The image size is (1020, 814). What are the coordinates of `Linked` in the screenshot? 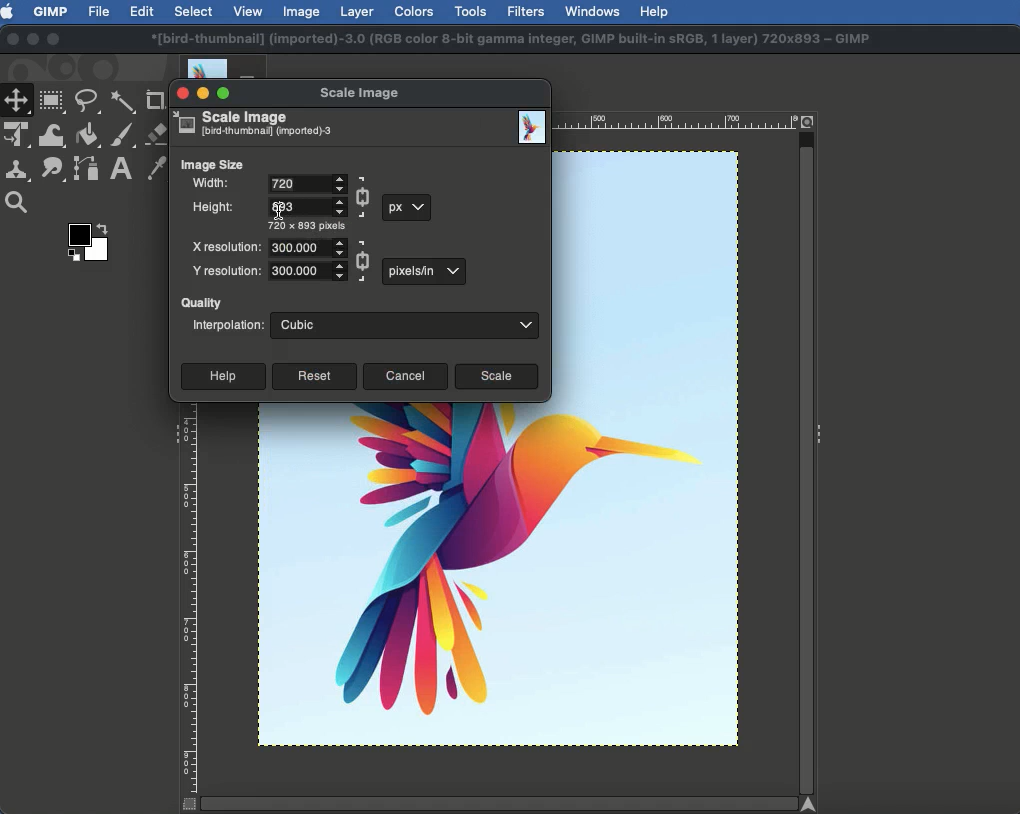 It's located at (364, 260).